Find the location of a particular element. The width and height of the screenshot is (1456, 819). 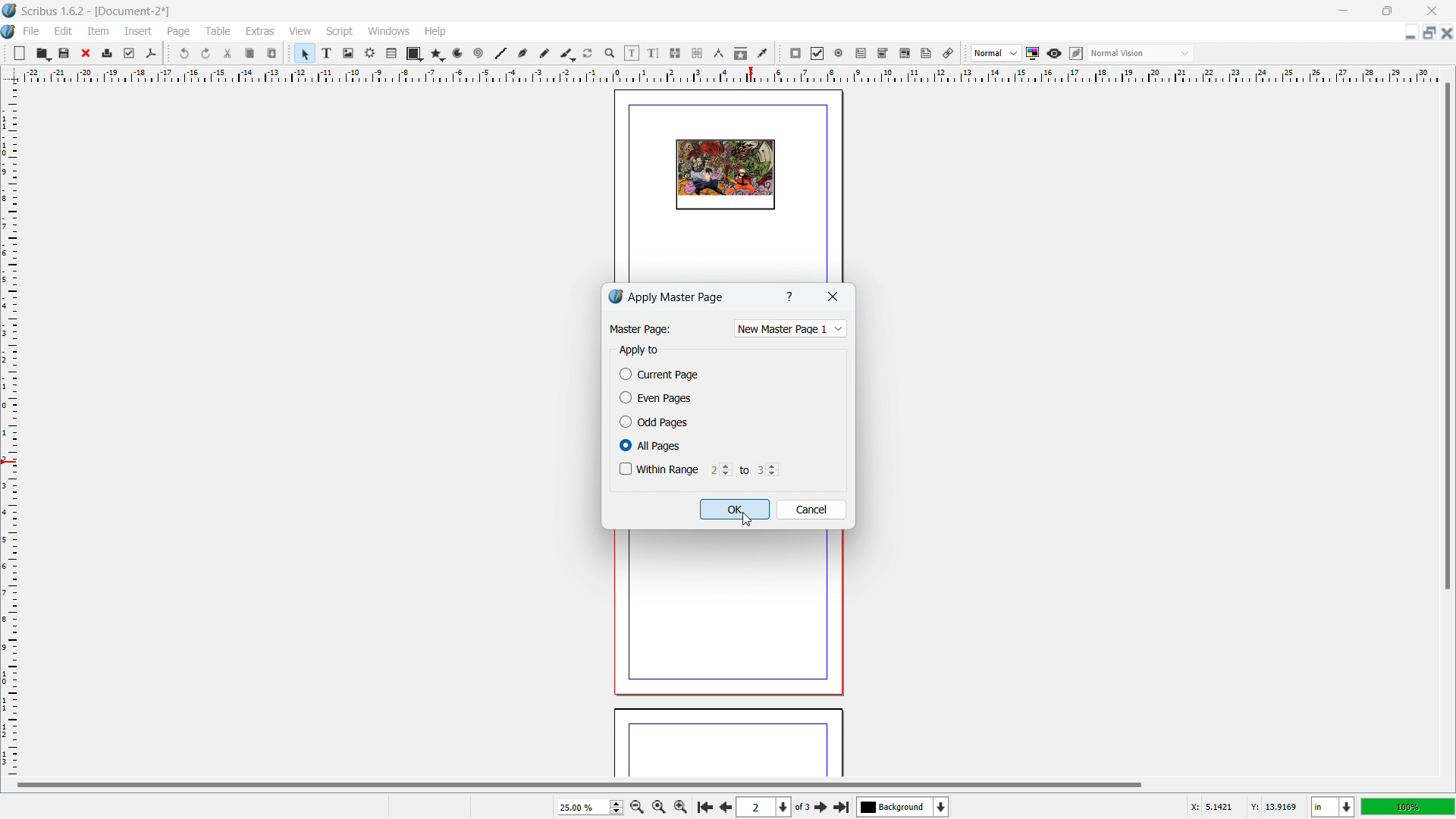

zoom to 100% is located at coordinates (658, 805).